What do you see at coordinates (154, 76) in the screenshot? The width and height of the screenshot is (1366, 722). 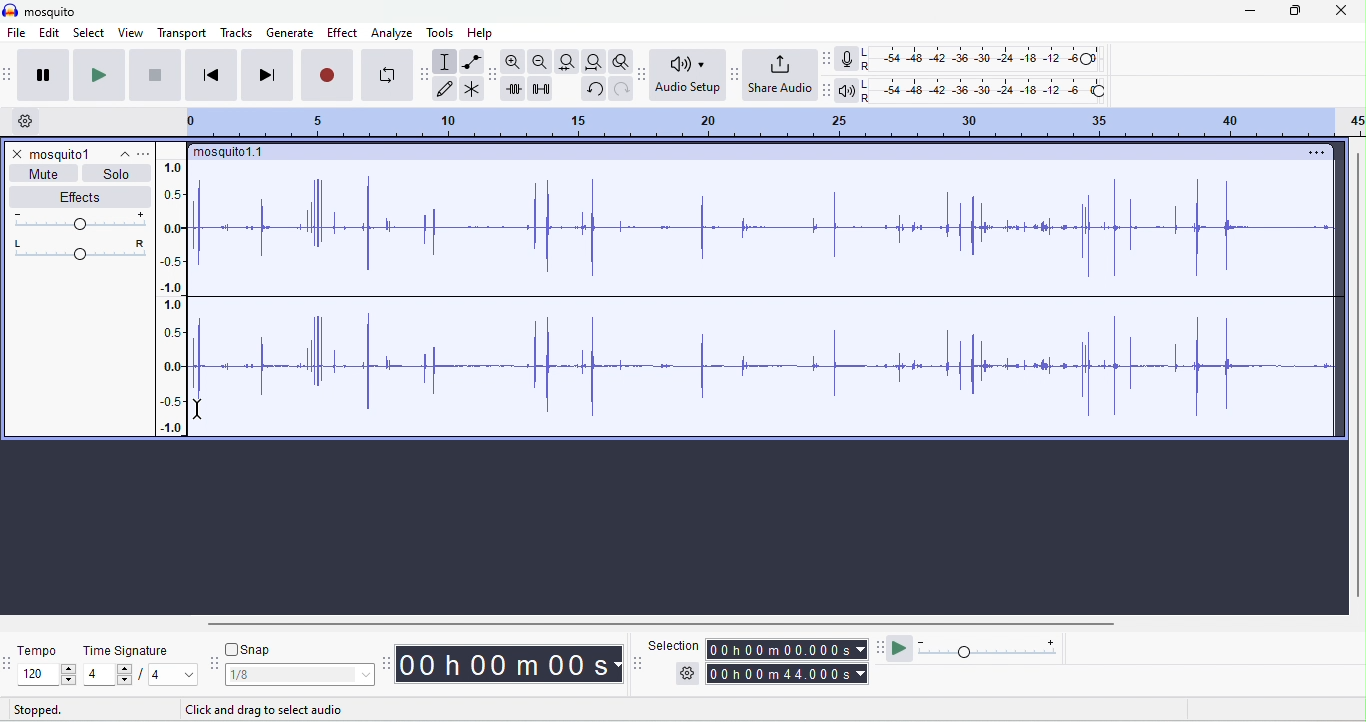 I see `stop` at bounding box center [154, 76].